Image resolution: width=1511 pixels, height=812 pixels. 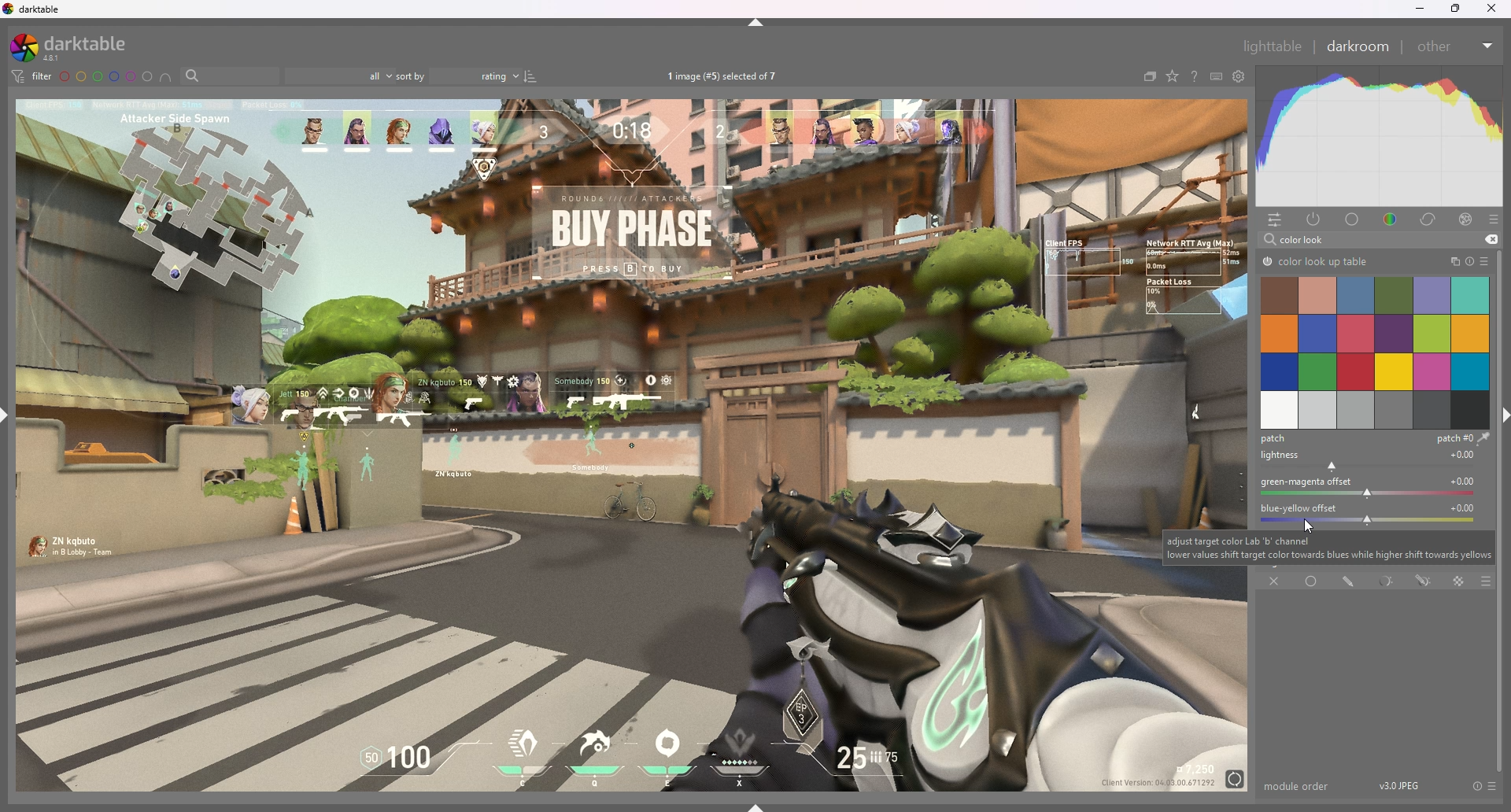 What do you see at coordinates (1399, 785) in the screenshot?
I see `version` at bounding box center [1399, 785].